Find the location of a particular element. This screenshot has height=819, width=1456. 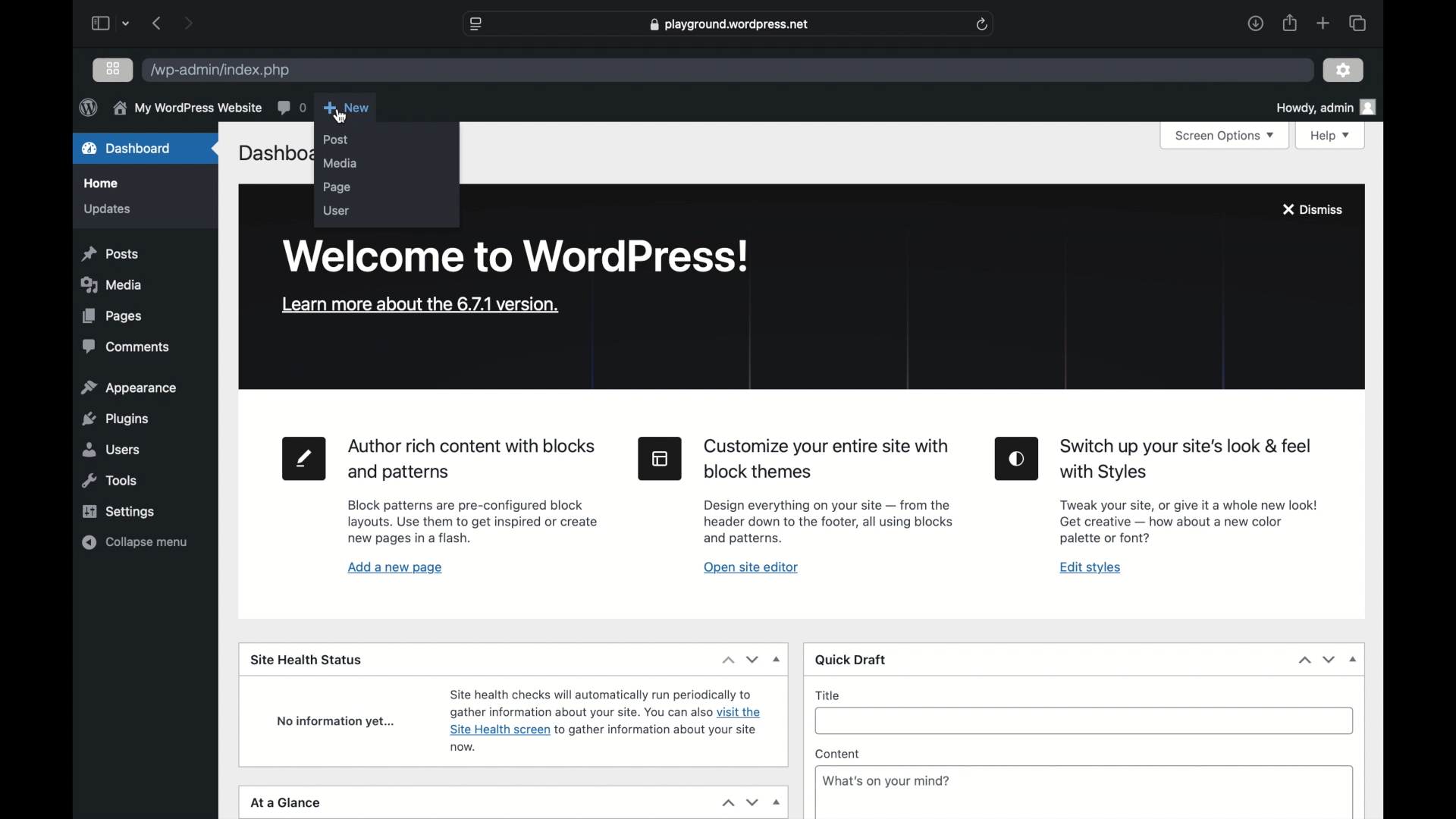

at a glance is located at coordinates (286, 803).